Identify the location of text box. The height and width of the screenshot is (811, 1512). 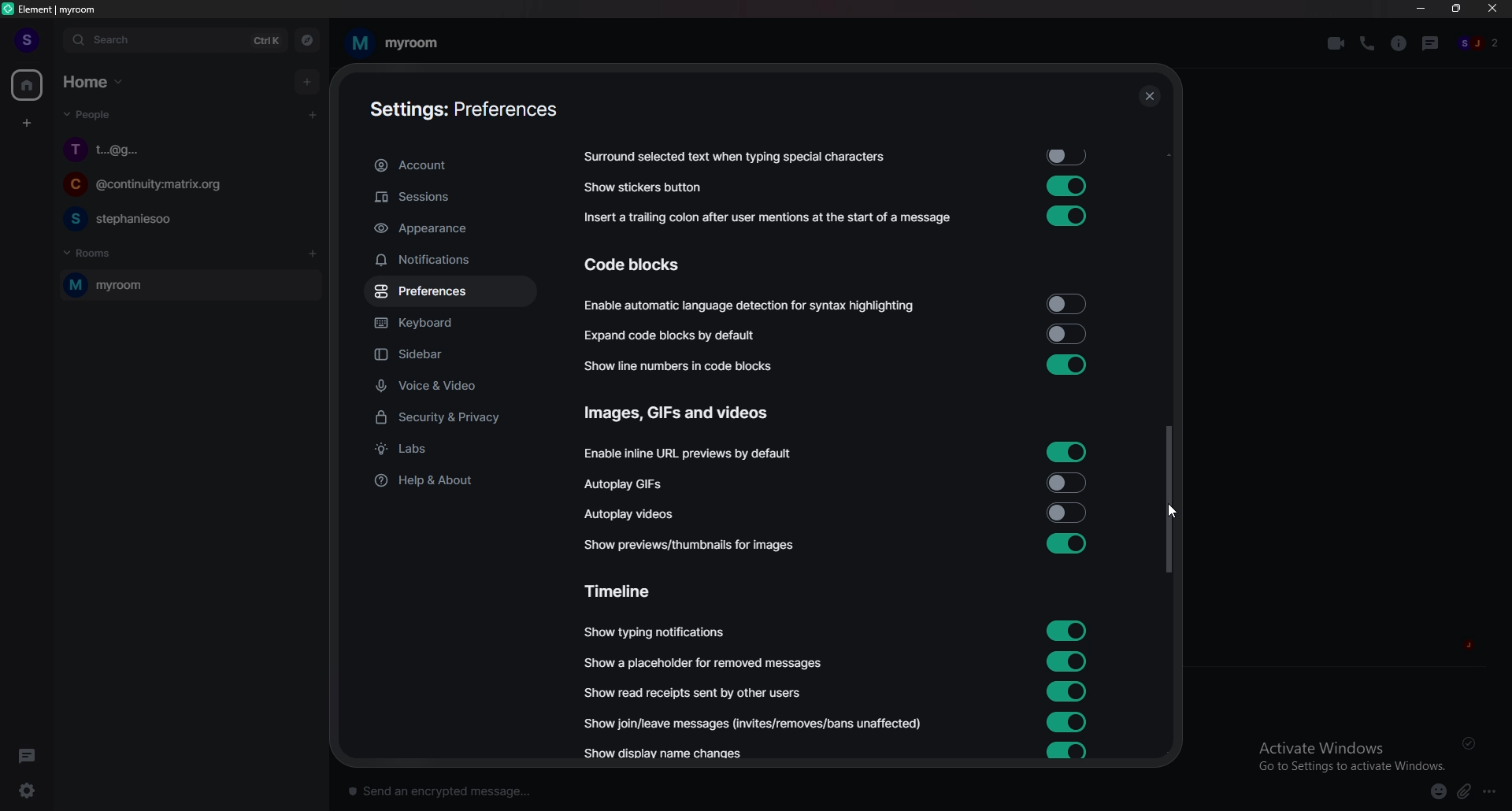
(570, 787).